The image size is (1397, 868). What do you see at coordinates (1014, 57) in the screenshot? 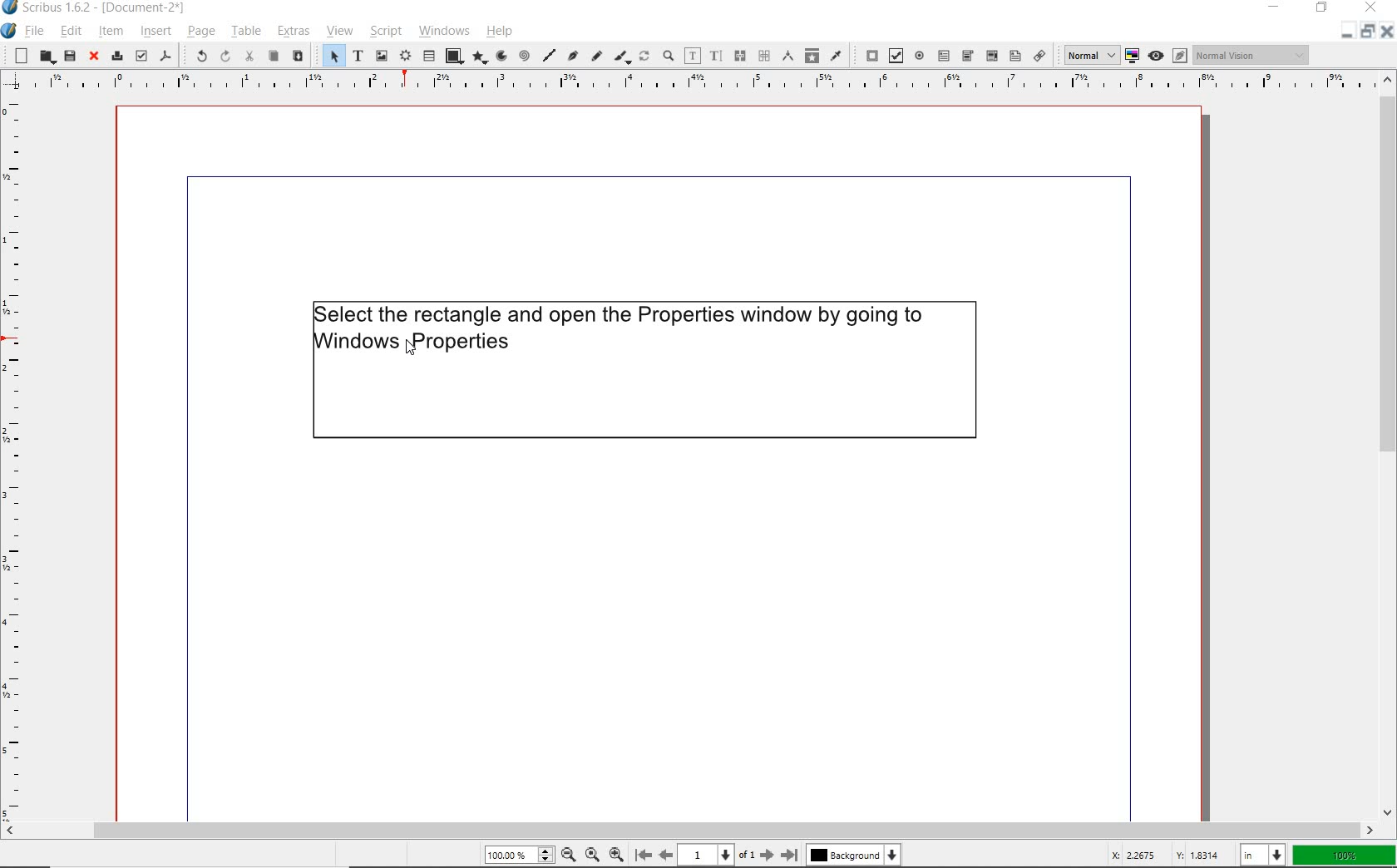
I see `Text annotation` at bounding box center [1014, 57].